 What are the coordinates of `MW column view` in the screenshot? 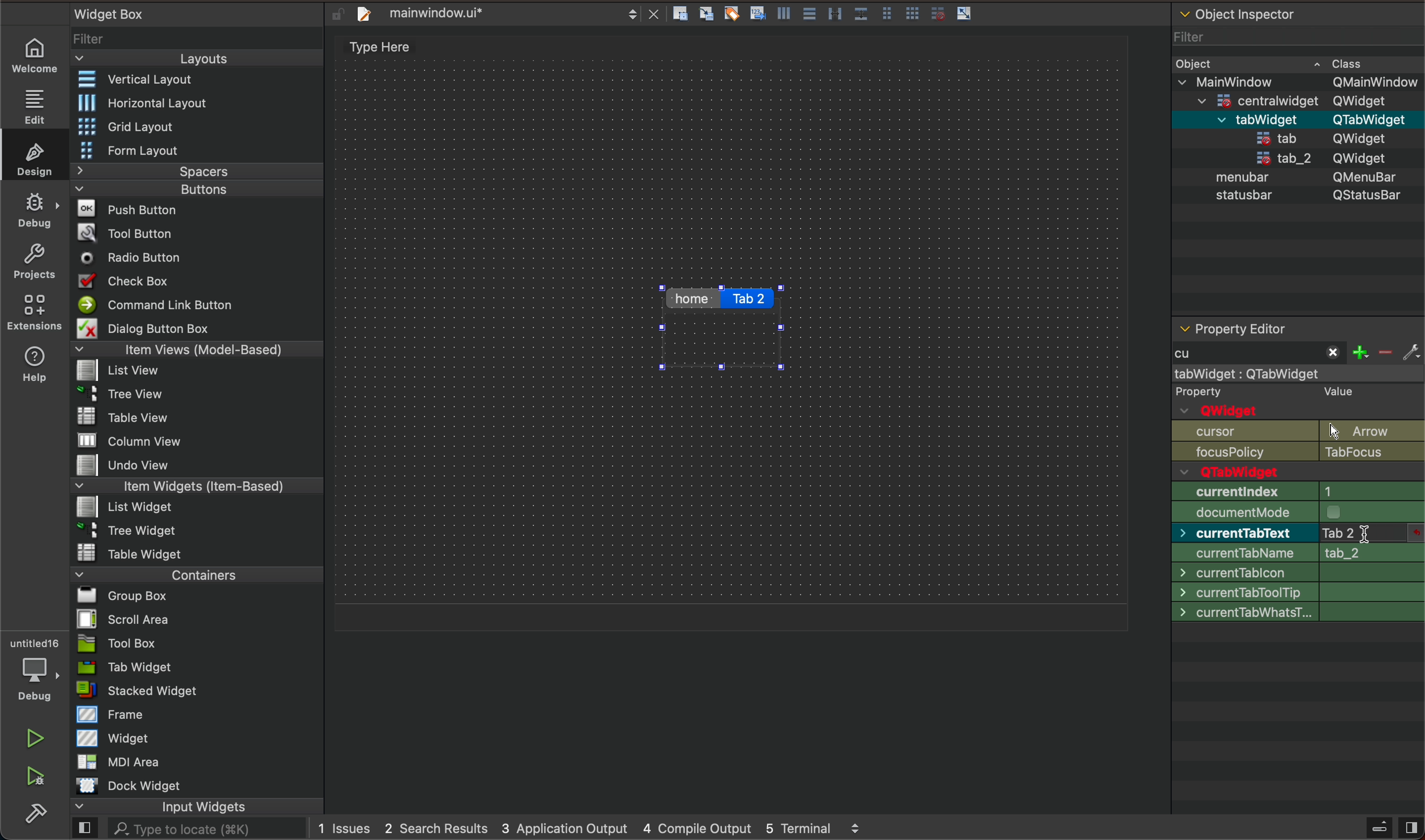 It's located at (117, 440).